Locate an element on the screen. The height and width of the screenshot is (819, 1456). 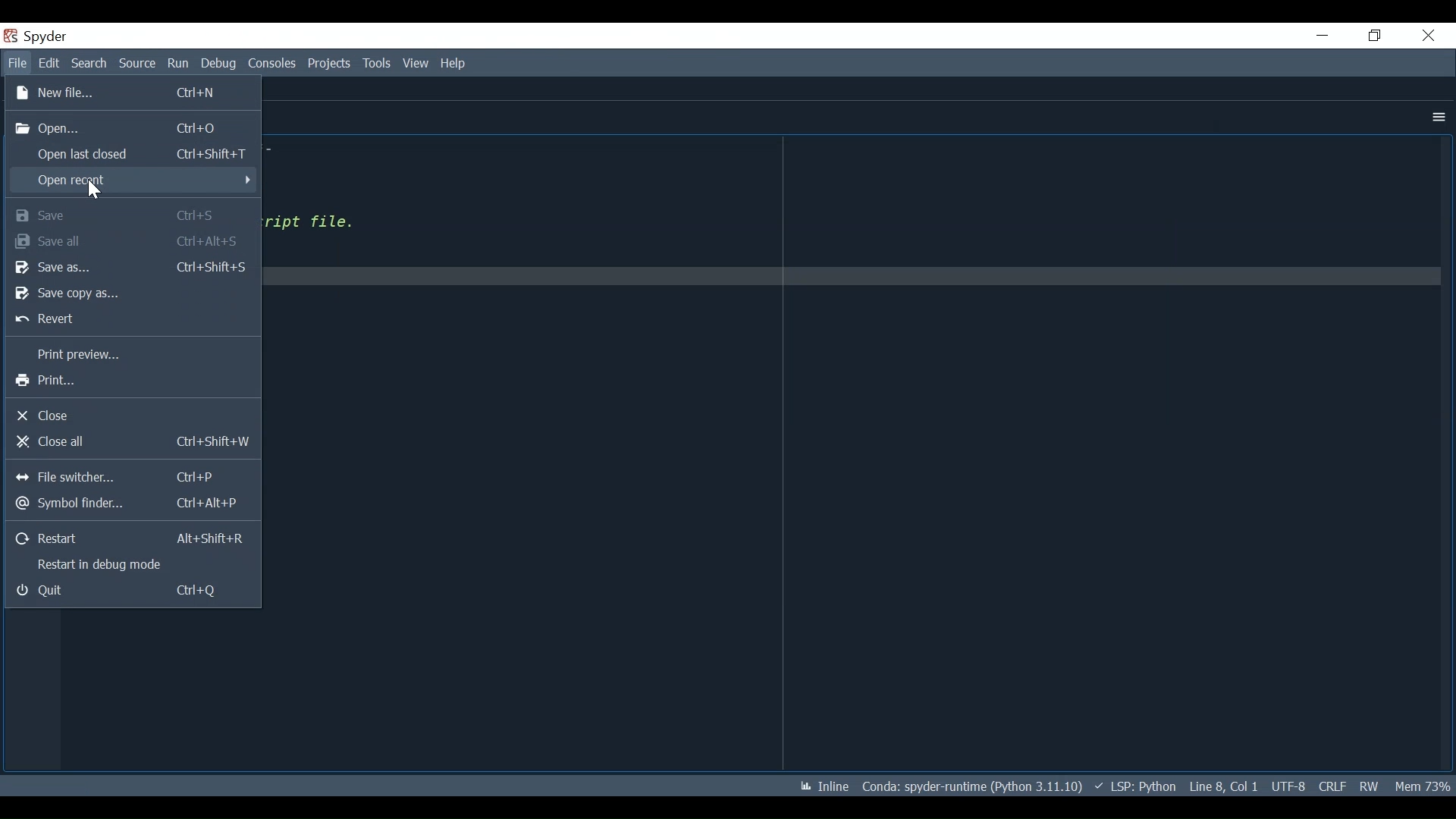
Restart is located at coordinates (133, 538).